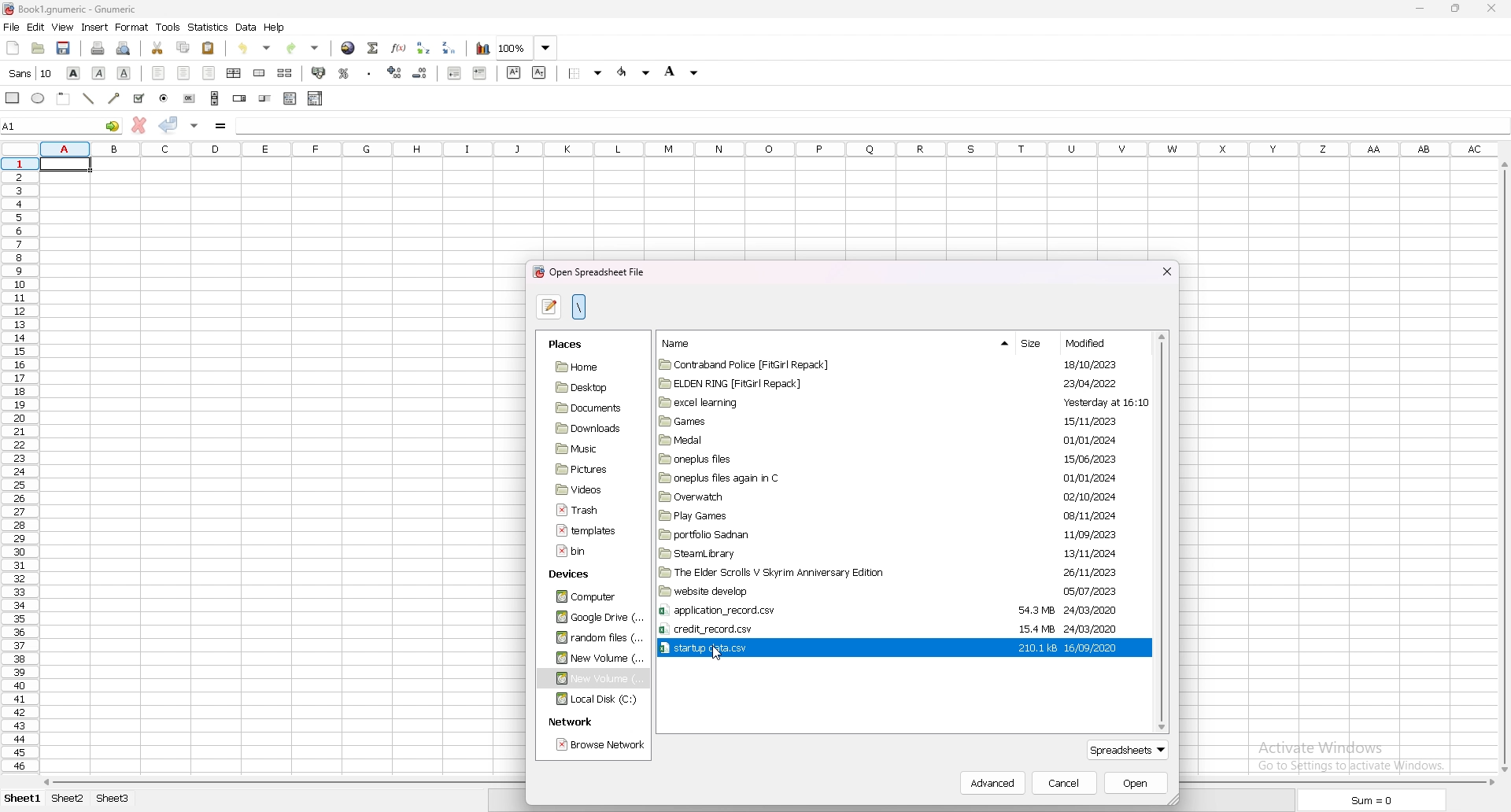  Describe the element at coordinates (184, 73) in the screenshot. I see `centre` at that location.